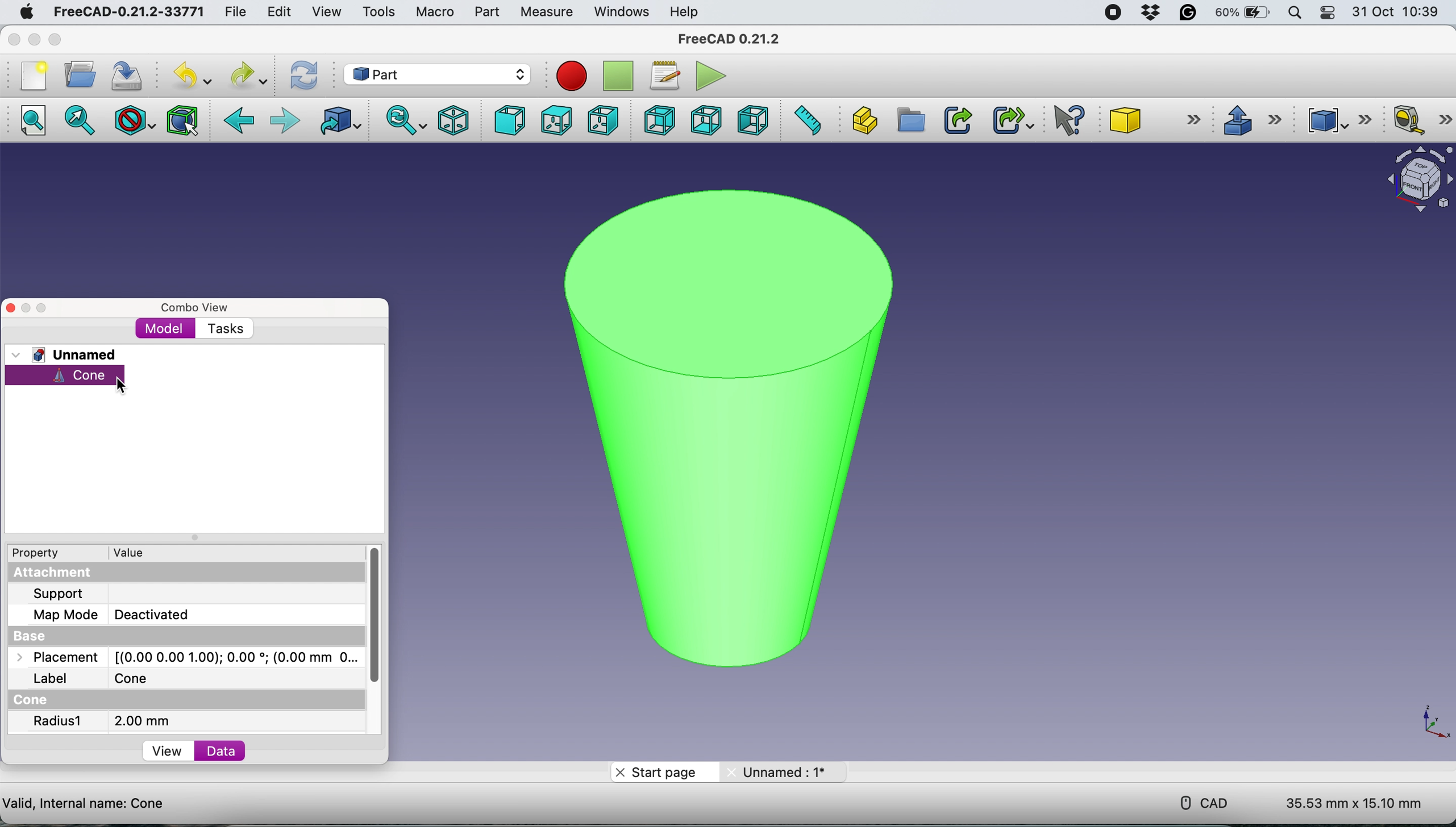 The width and height of the screenshot is (1456, 827). What do you see at coordinates (76, 39) in the screenshot?
I see `maximise` at bounding box center [76, 39].